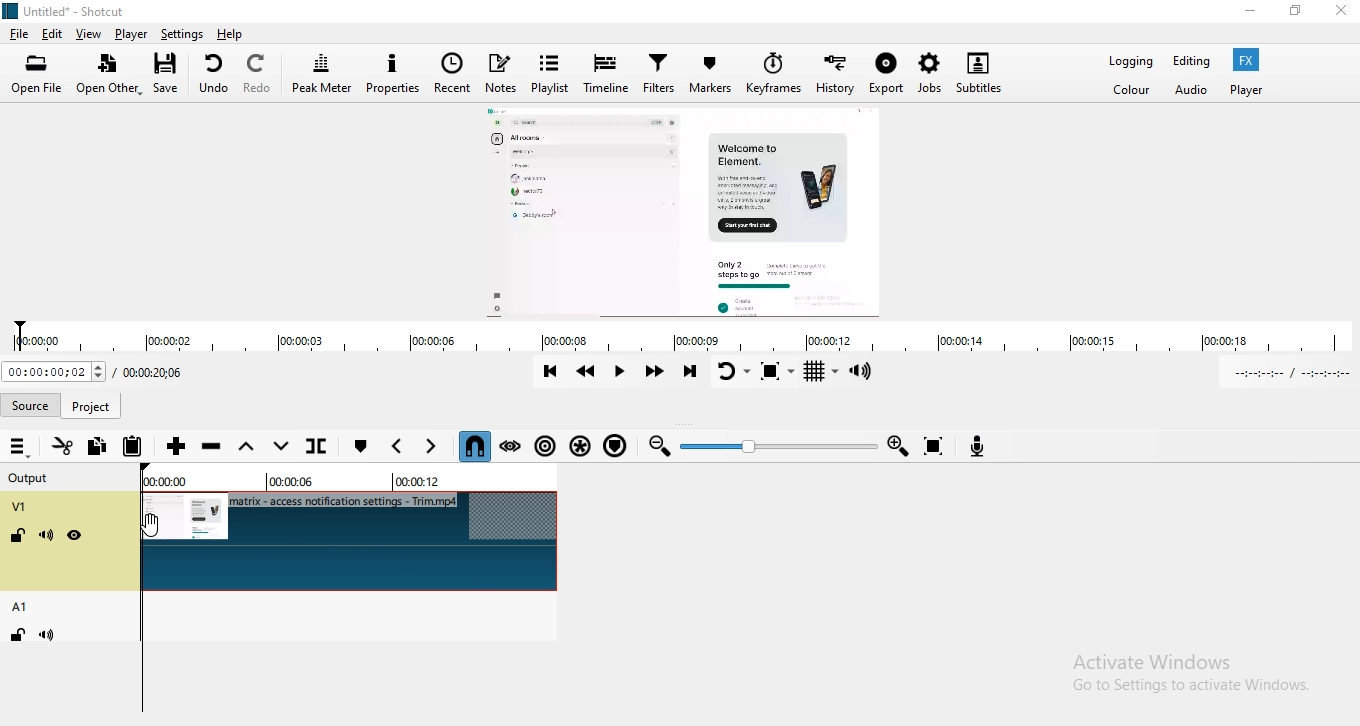  Describe the element at coordinates (473, 445) in the screenshot. I see `Snap` at that location.